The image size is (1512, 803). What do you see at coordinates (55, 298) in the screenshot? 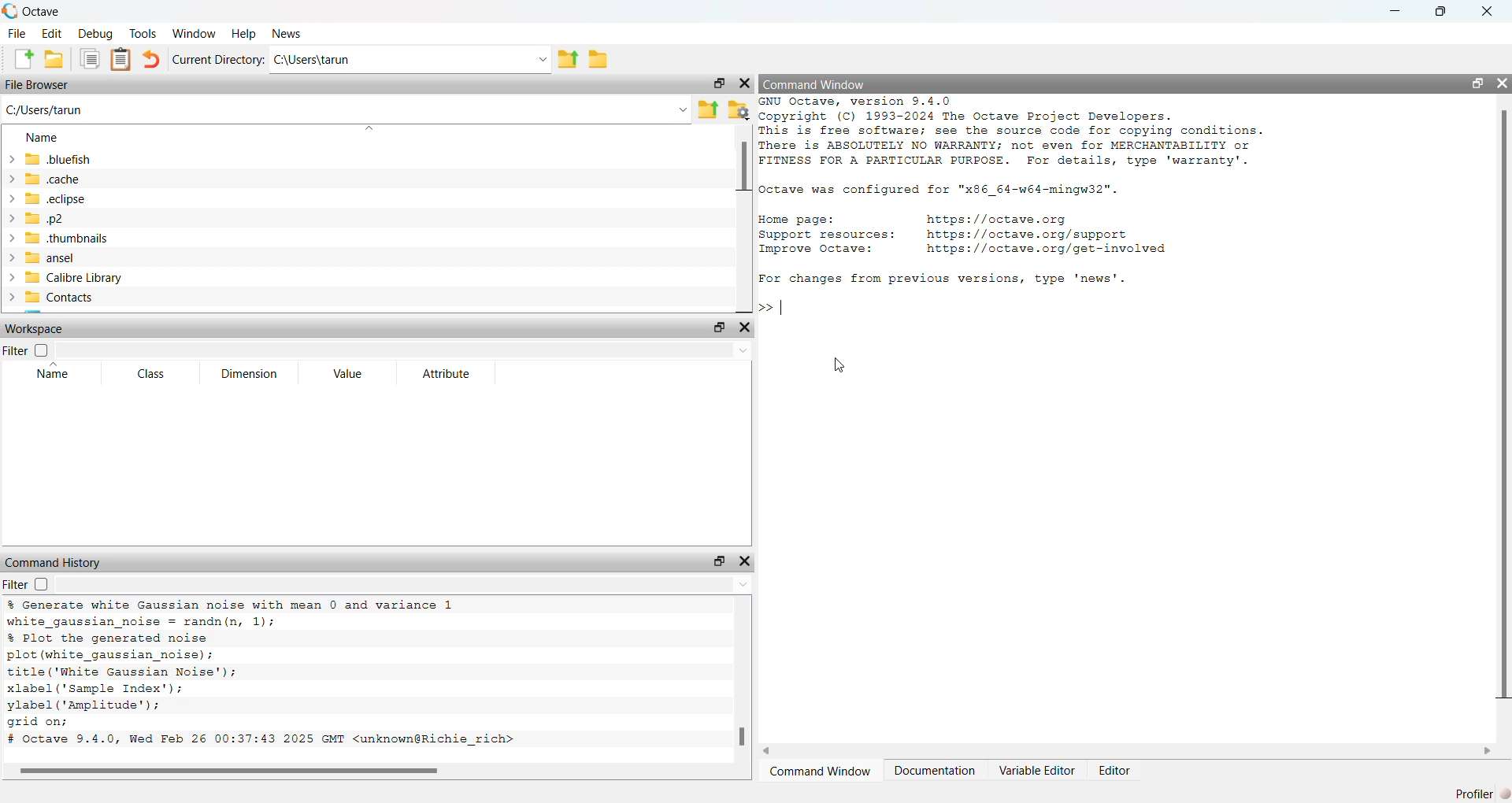
I see `> Contacts` at bounding box center [55, 298].